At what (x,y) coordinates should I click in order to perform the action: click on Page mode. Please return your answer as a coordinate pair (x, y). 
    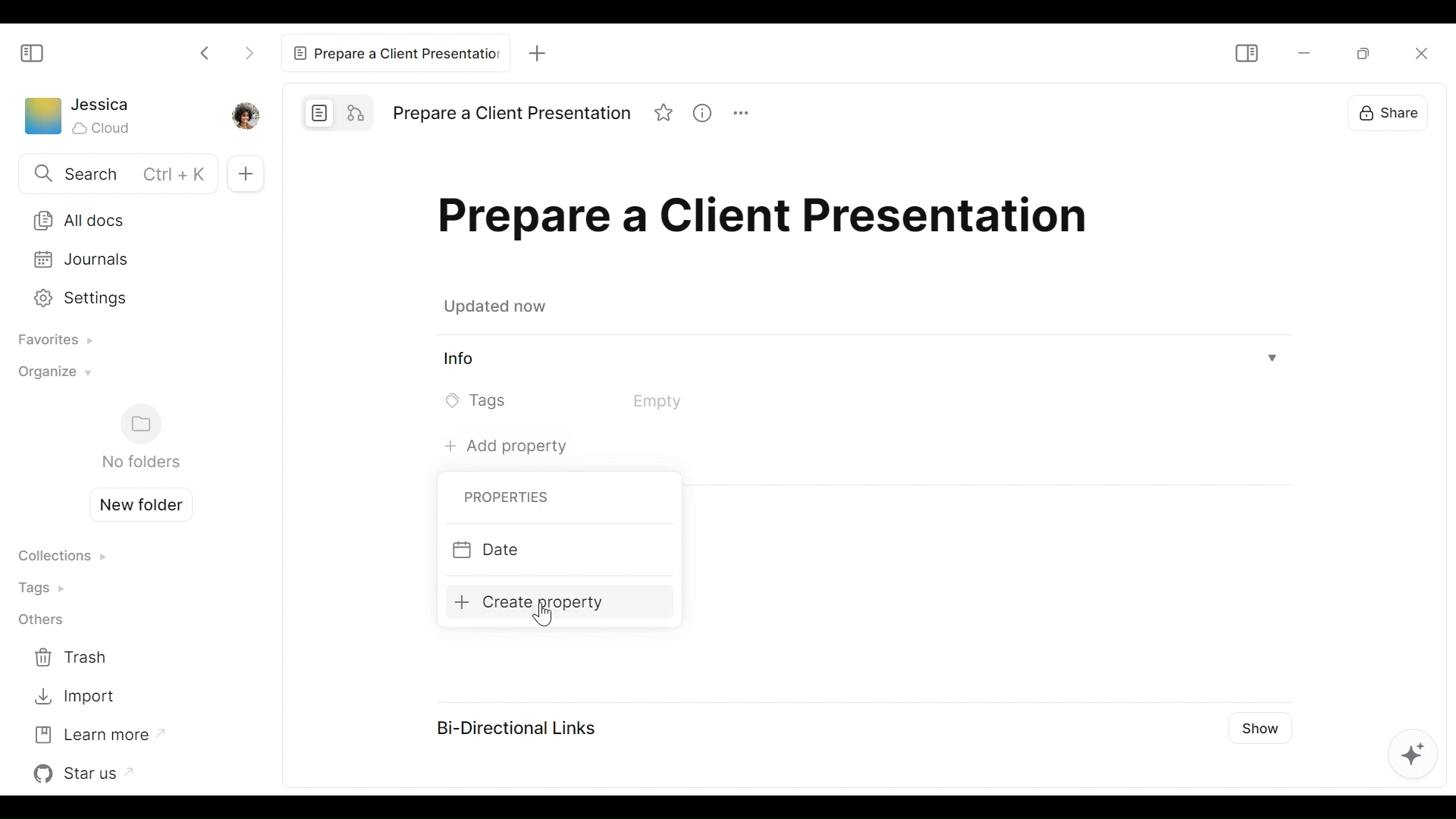
    Looking at the image, I should click on (320, 112).